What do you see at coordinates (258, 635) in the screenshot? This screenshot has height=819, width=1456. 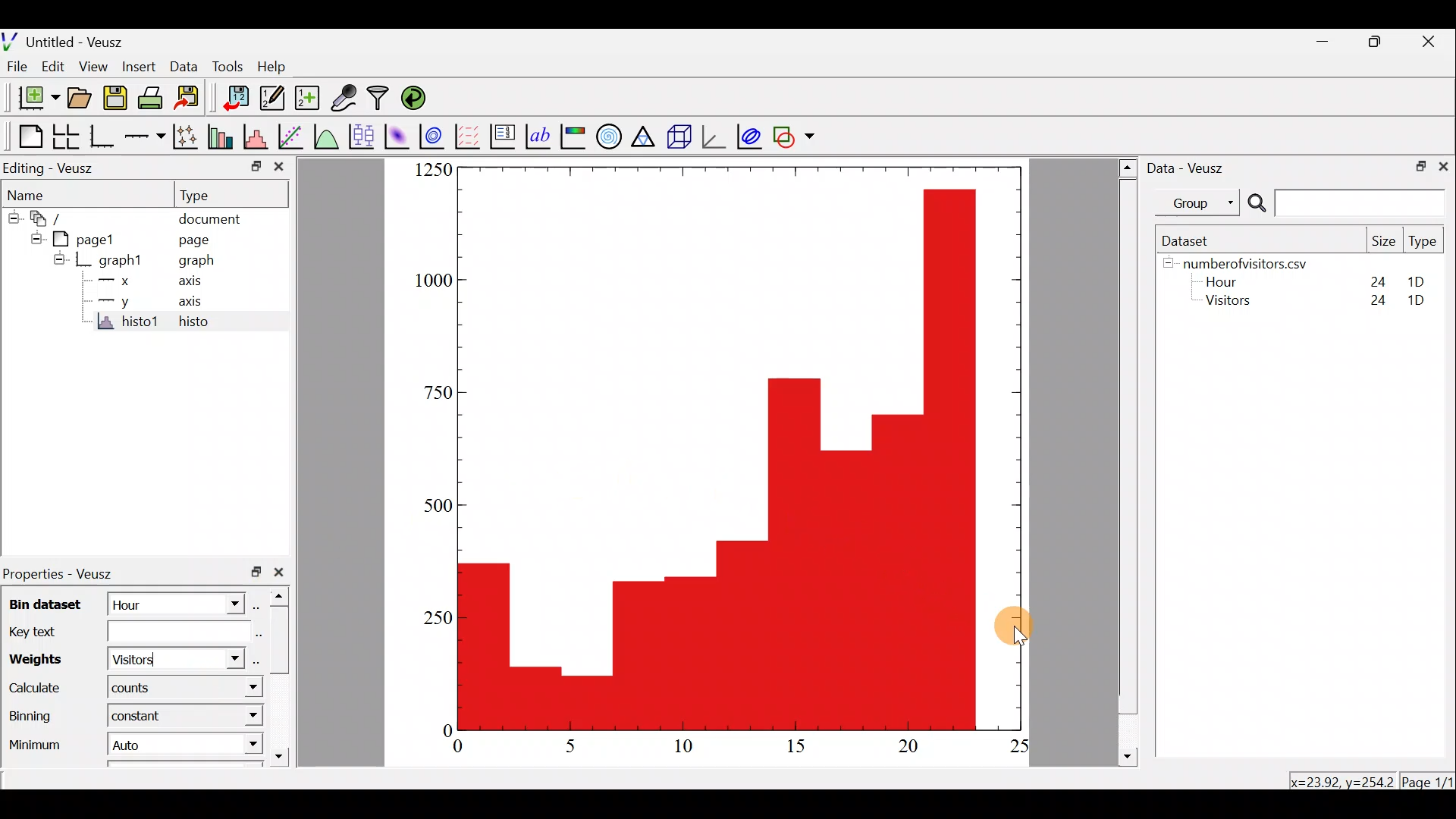 I see `Edit text` at bounding box center [258, 635].